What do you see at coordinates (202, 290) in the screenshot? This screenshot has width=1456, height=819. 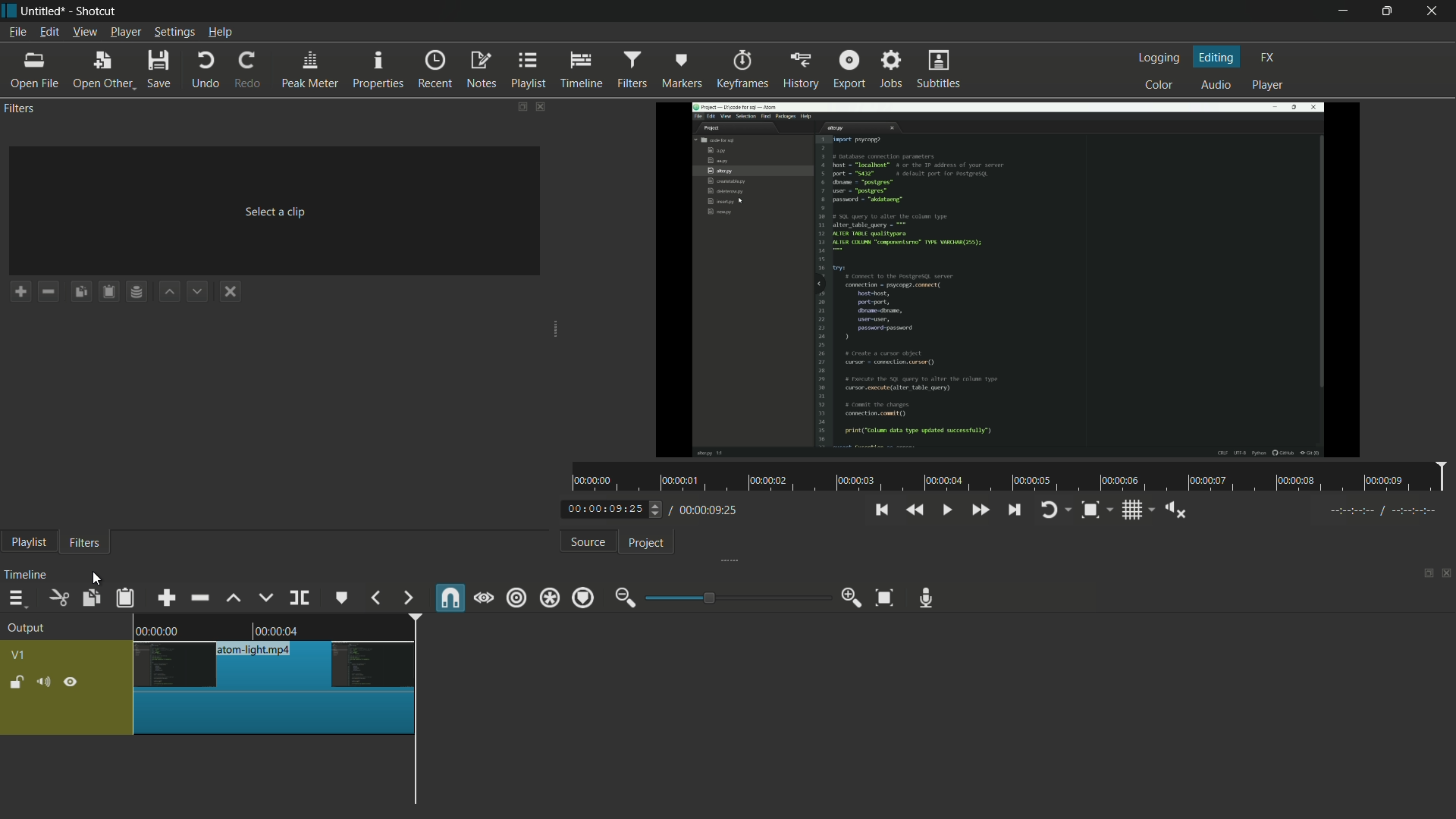 I see `move filter down` at bounding box center [202, 290].